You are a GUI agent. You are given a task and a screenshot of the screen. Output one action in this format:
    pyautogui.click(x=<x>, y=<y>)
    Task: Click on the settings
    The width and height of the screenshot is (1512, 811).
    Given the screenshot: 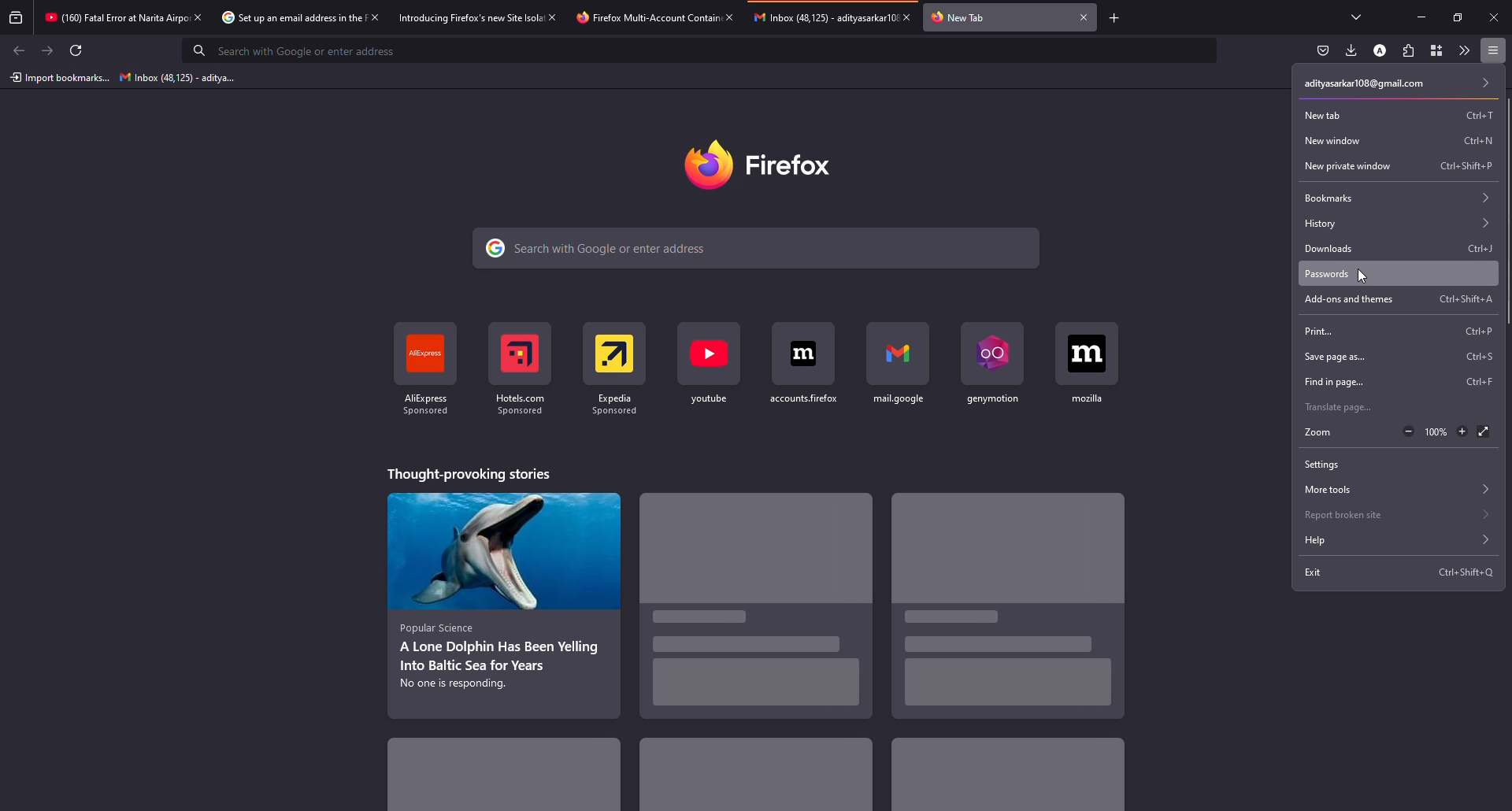 What is the action you would take?
    pyautogui.click(x=1321, y=465)
    